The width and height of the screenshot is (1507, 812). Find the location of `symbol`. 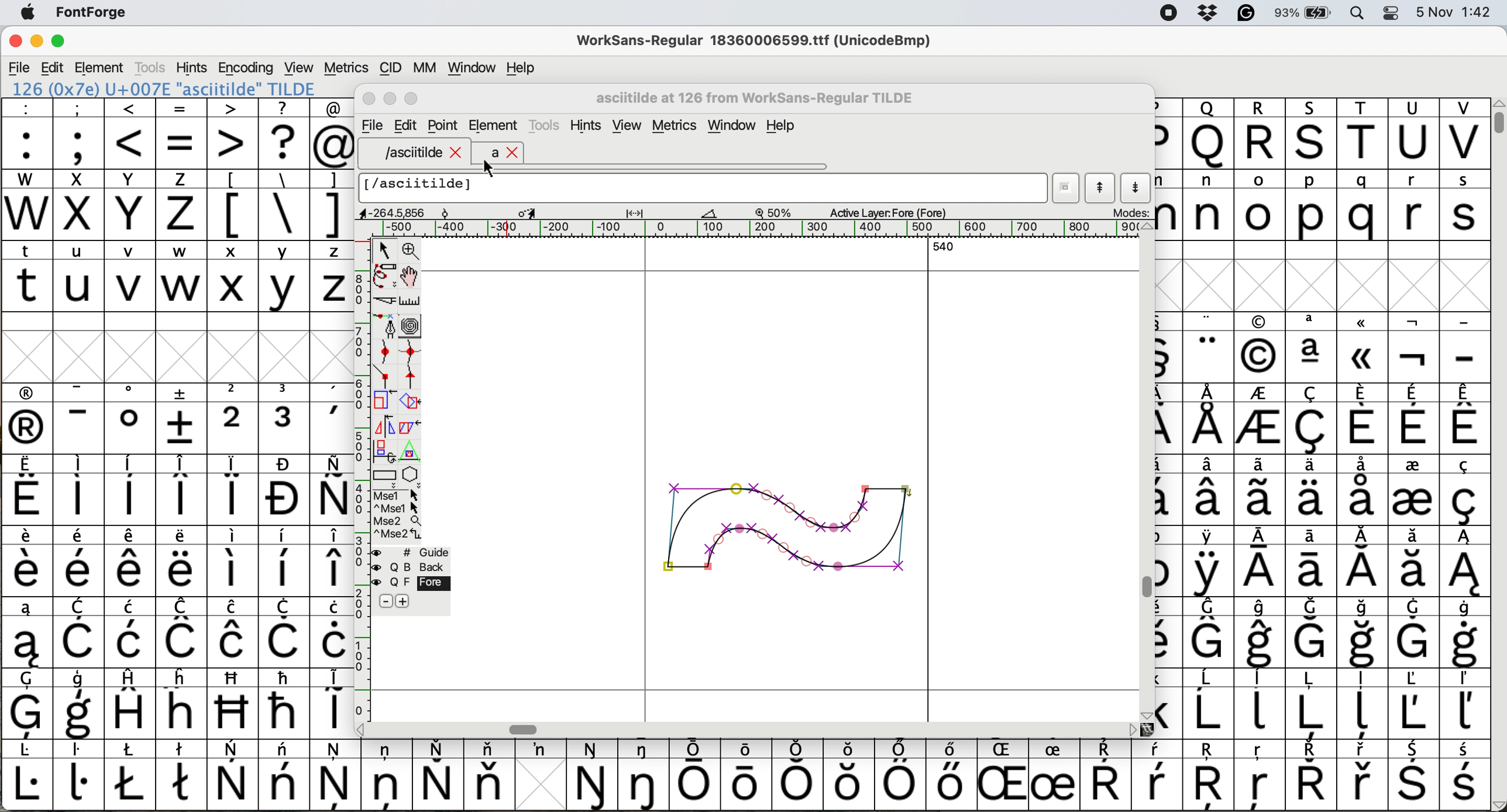

symbol is located at coordinates (1210, 704).